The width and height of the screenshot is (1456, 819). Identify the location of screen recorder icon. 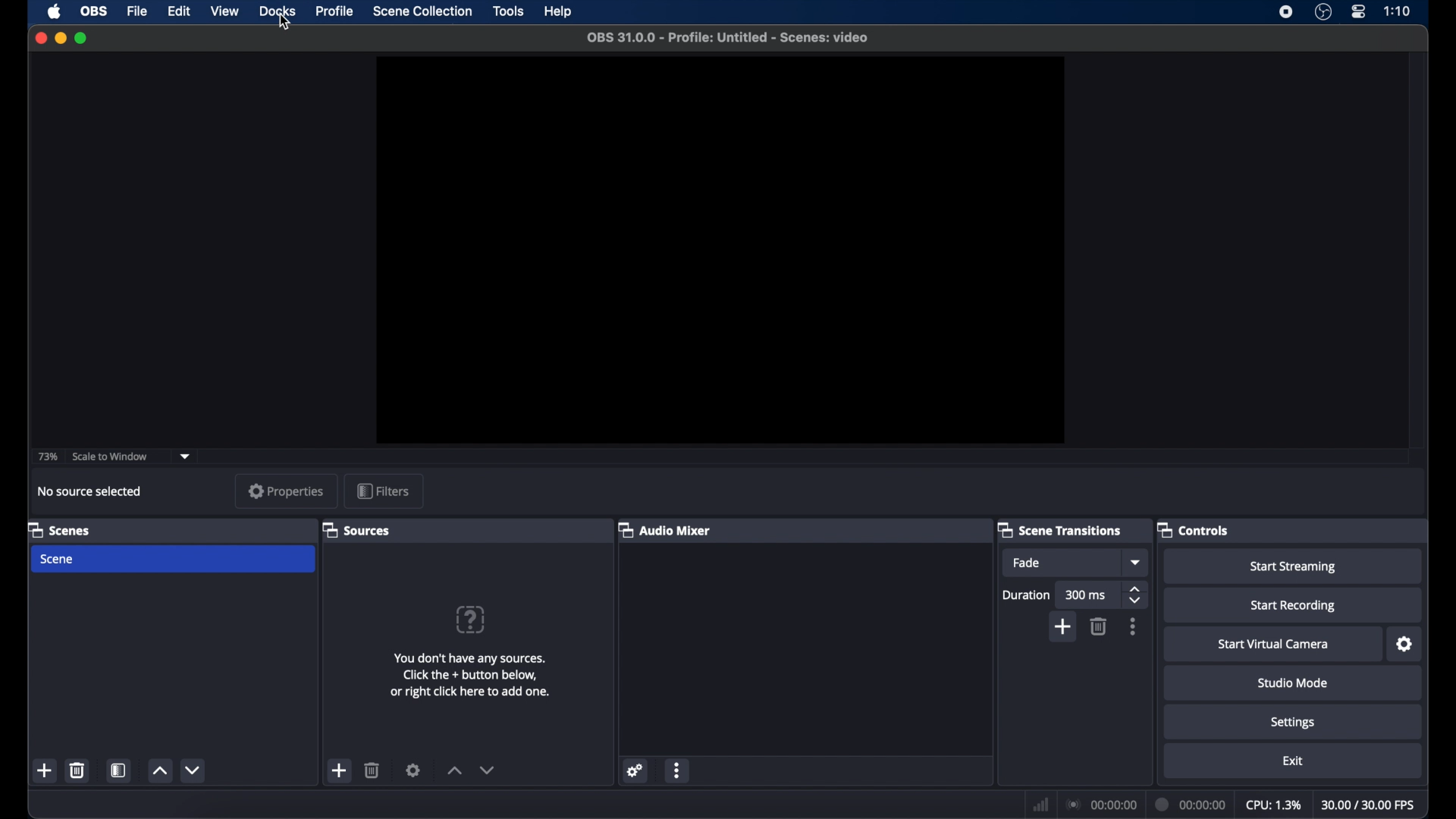
(1285, 12).